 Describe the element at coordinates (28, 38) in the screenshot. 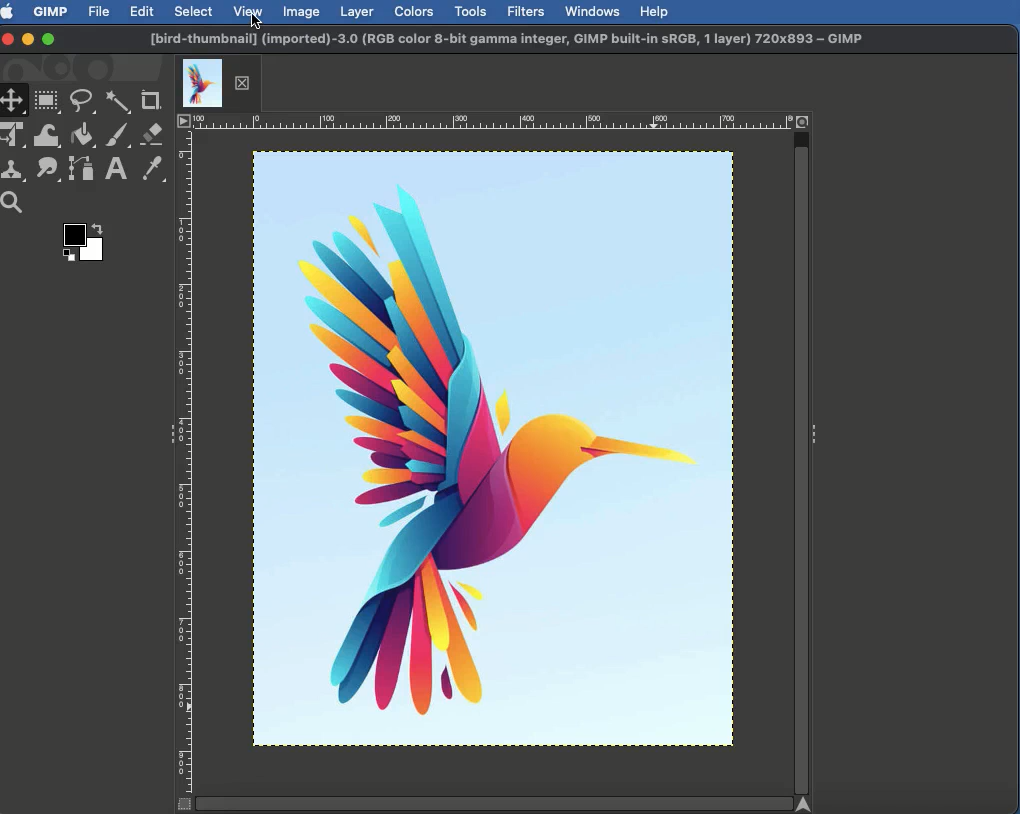

I see `Minimize` at that location.